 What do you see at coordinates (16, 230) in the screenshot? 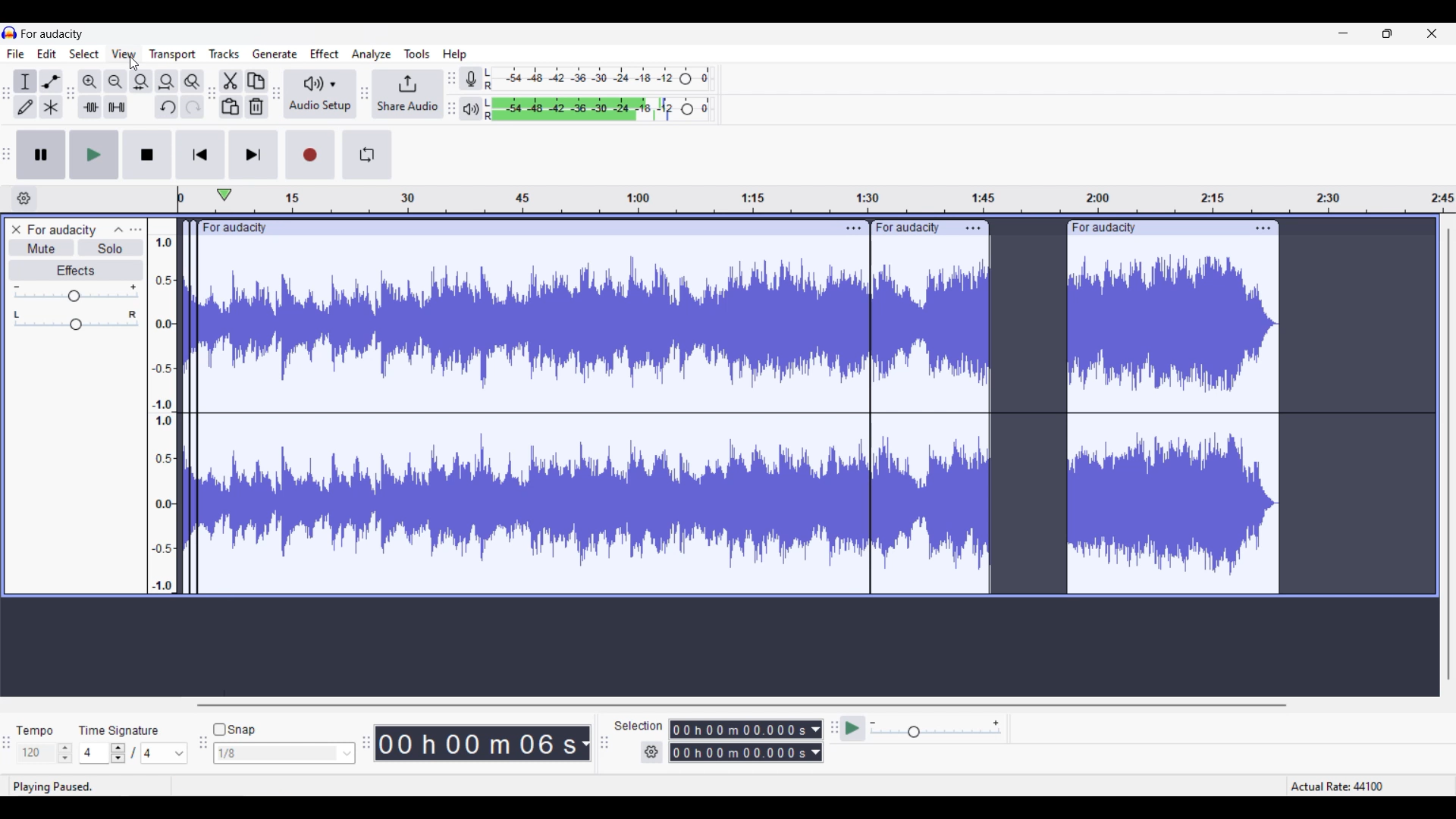
I see `Close track` at bounding box center [16, 230].